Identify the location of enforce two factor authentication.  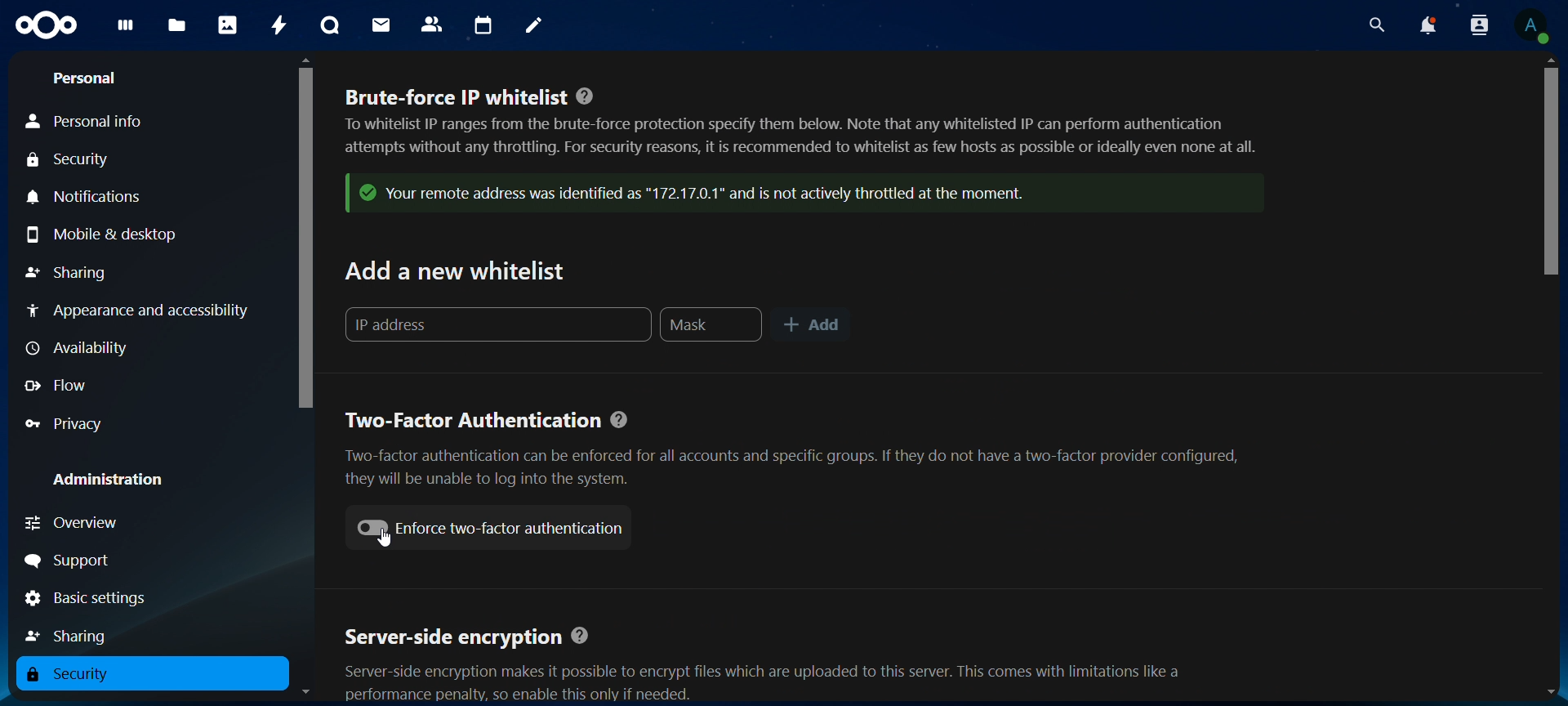
(488, 525).